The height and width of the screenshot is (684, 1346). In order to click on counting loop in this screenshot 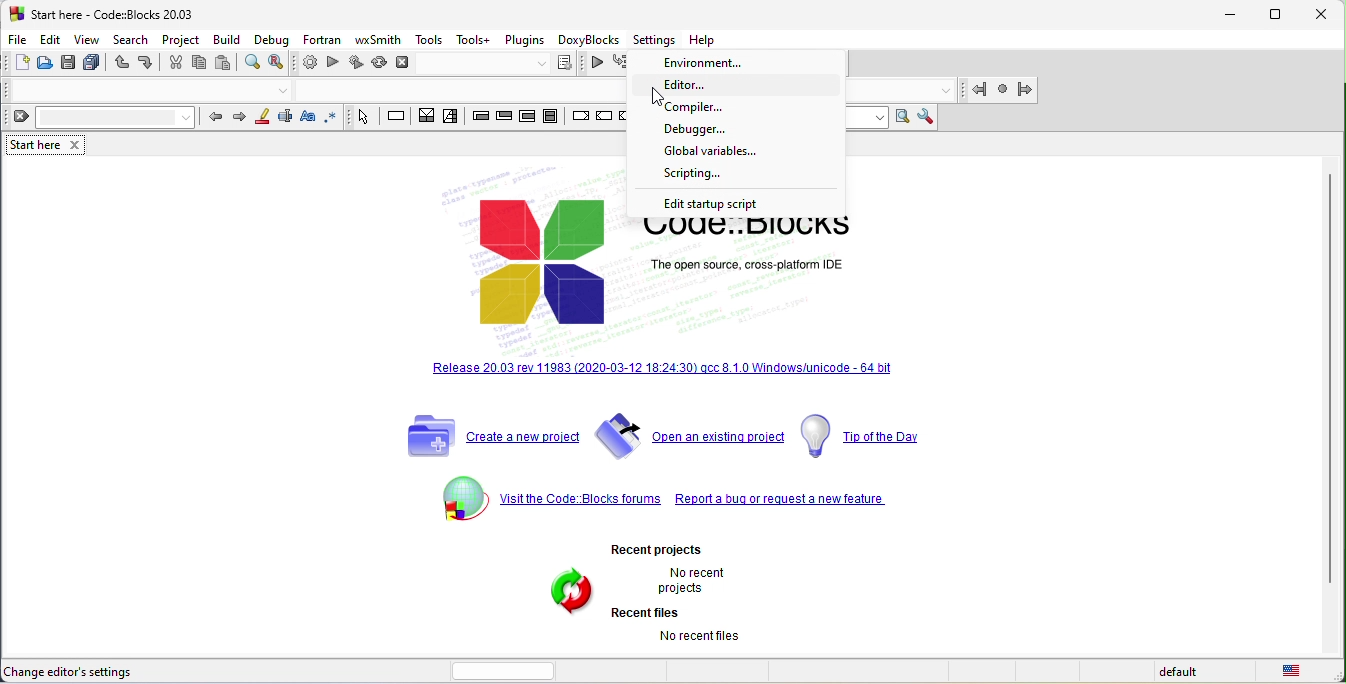, I will do `click(530, 117)`.